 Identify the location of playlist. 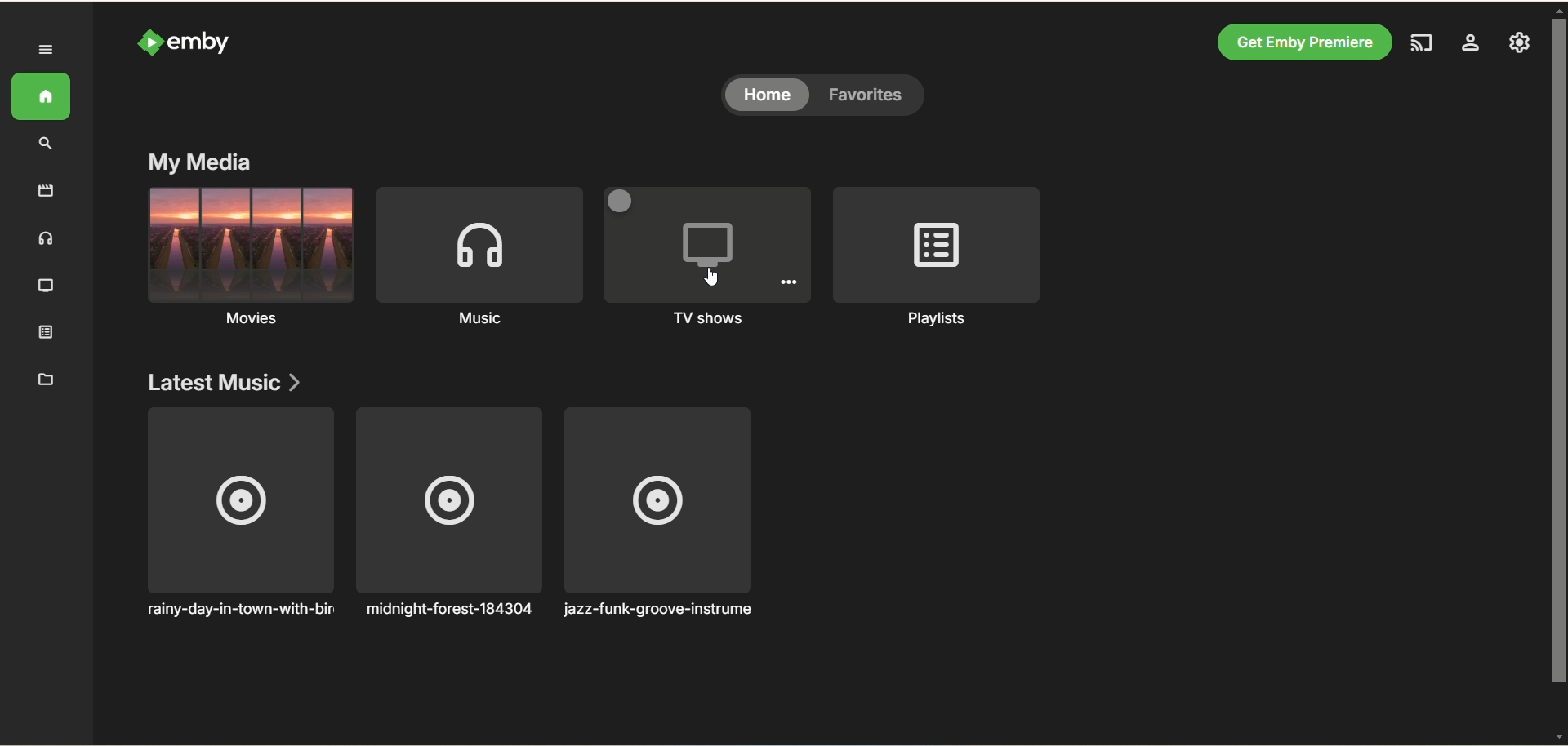
(47, 335).